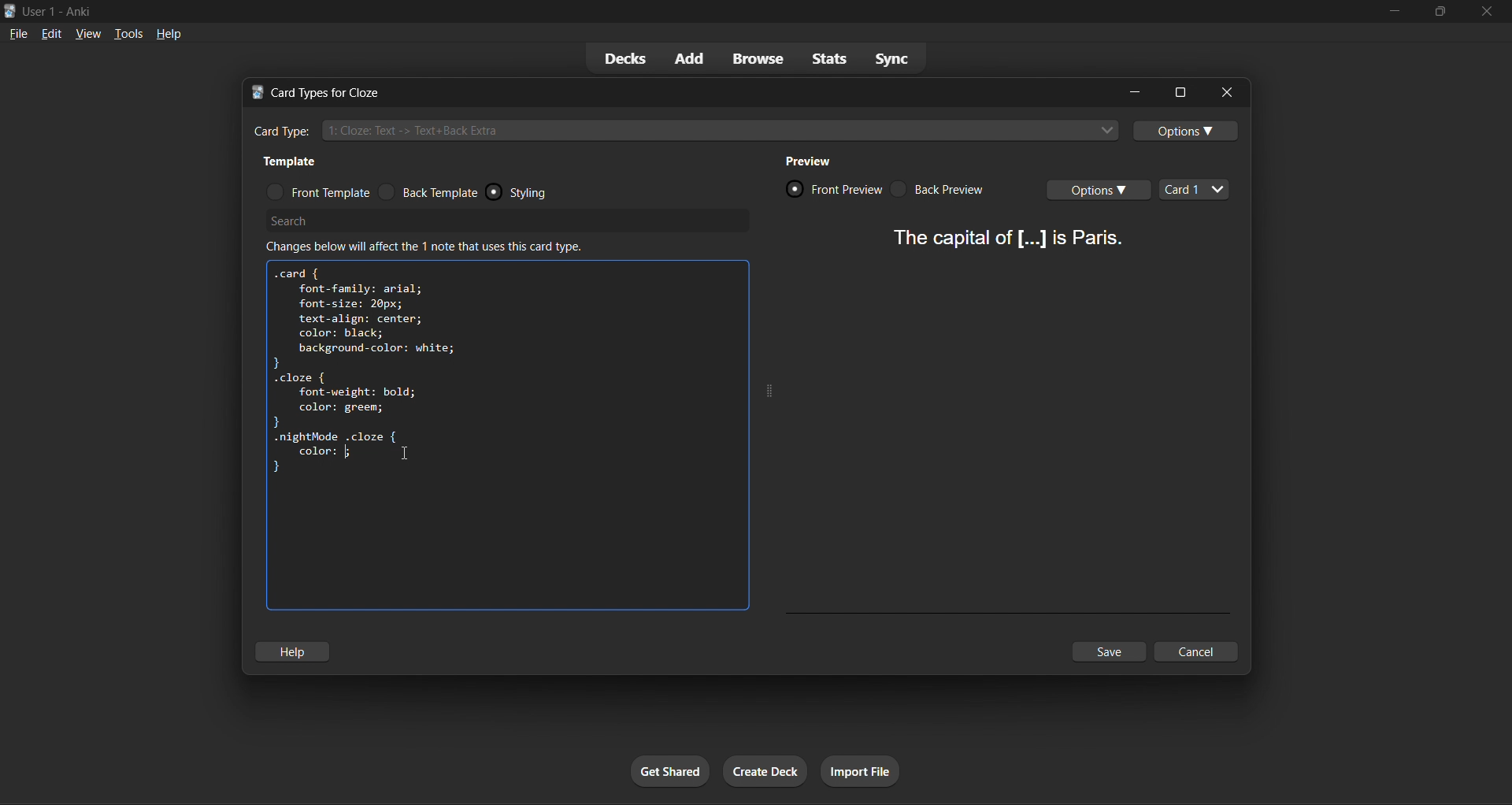  I want to click on card front preview, so click(832, 188).